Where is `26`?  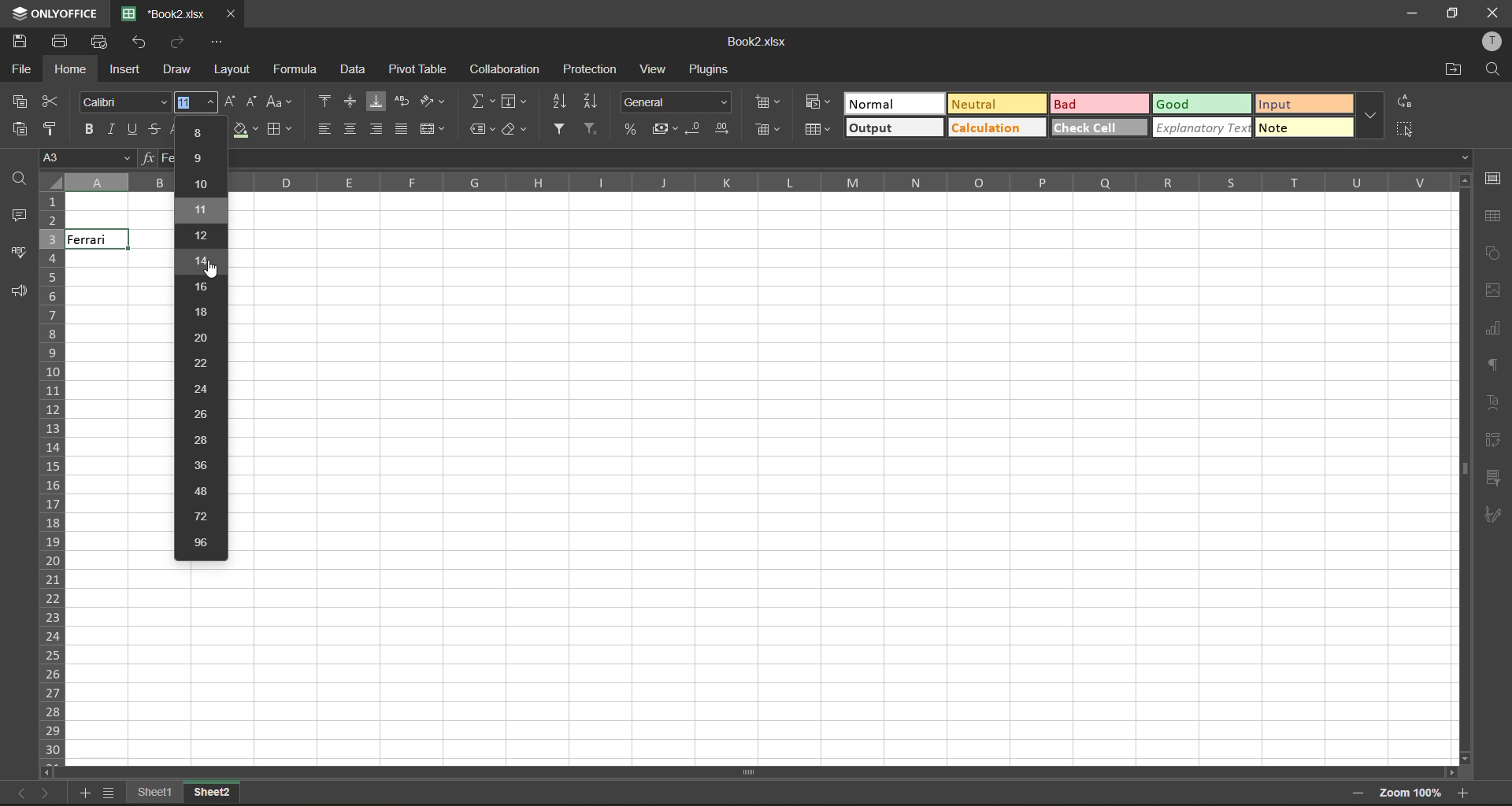 26 is located at coordinates (200, 414).